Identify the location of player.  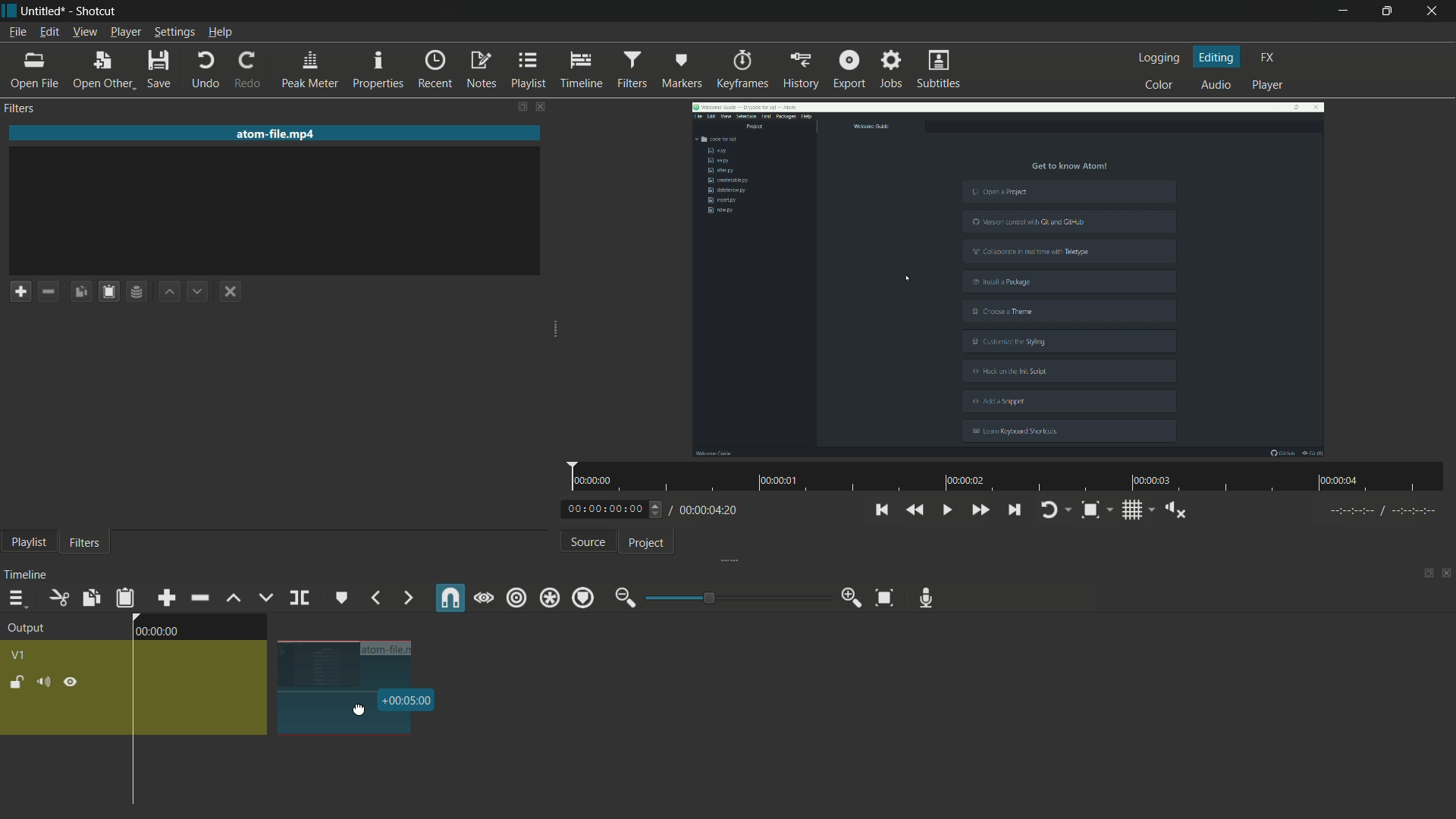
(1270, 86).